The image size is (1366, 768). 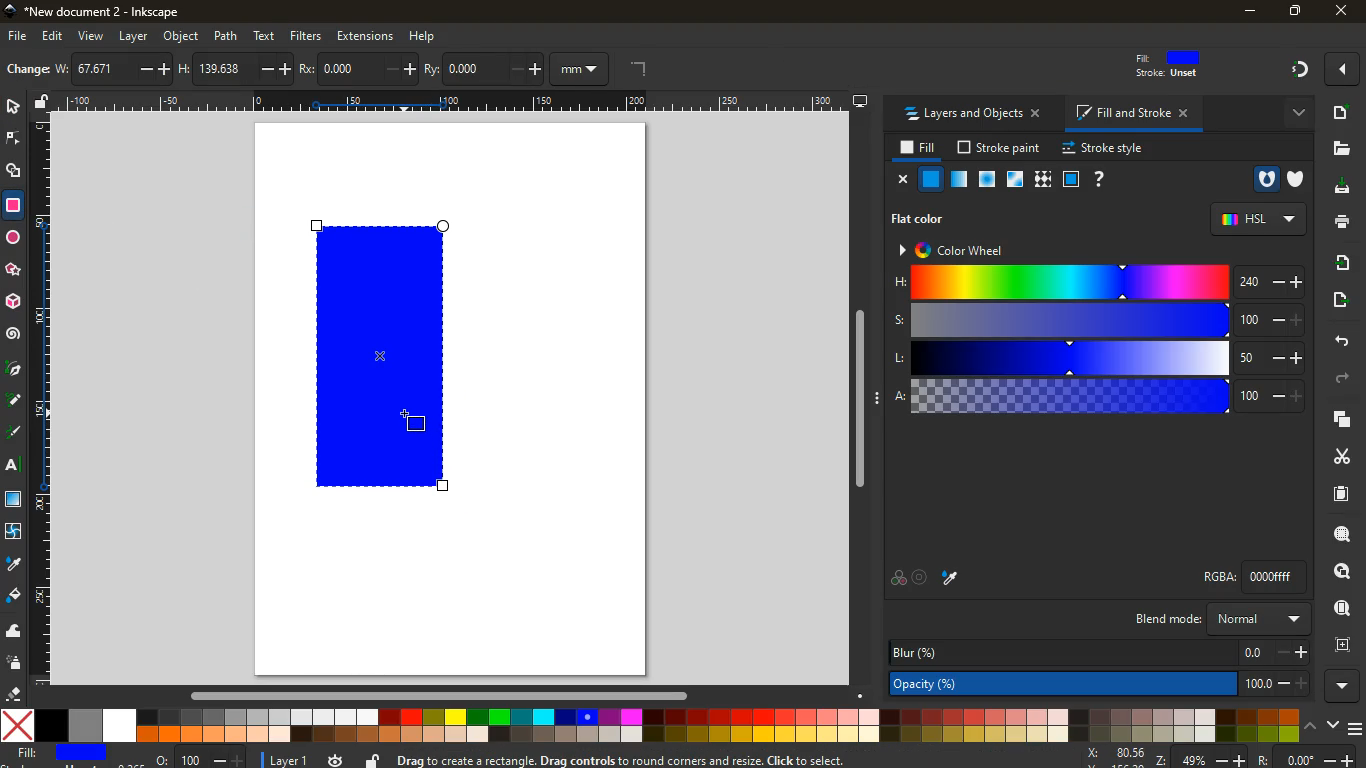 What do you see at coordinates (1345, 114) in the screenshot?
I see `new` at bounding box center [1345, 114].